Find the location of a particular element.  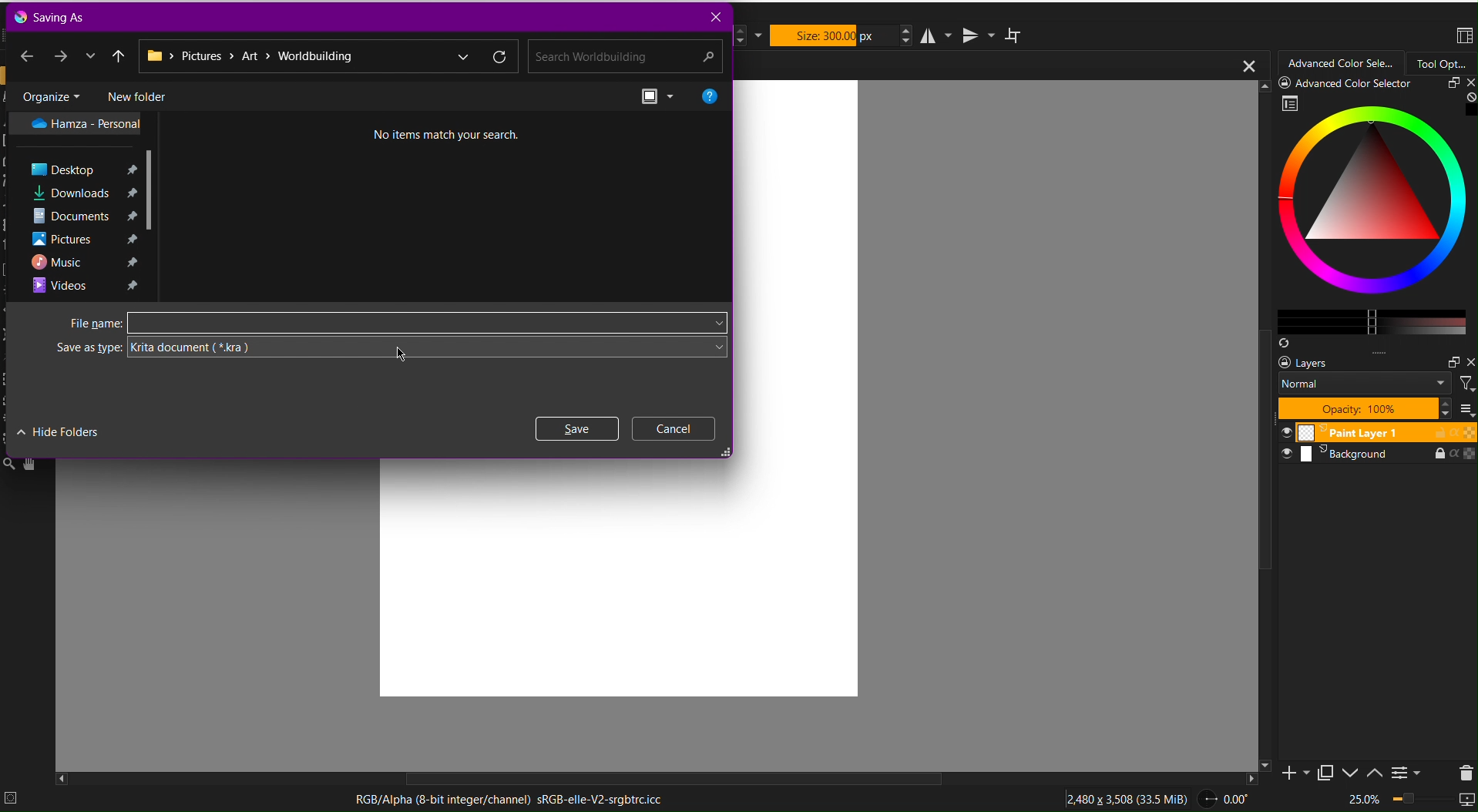

Workspace is located at coordinates (1463, 37).